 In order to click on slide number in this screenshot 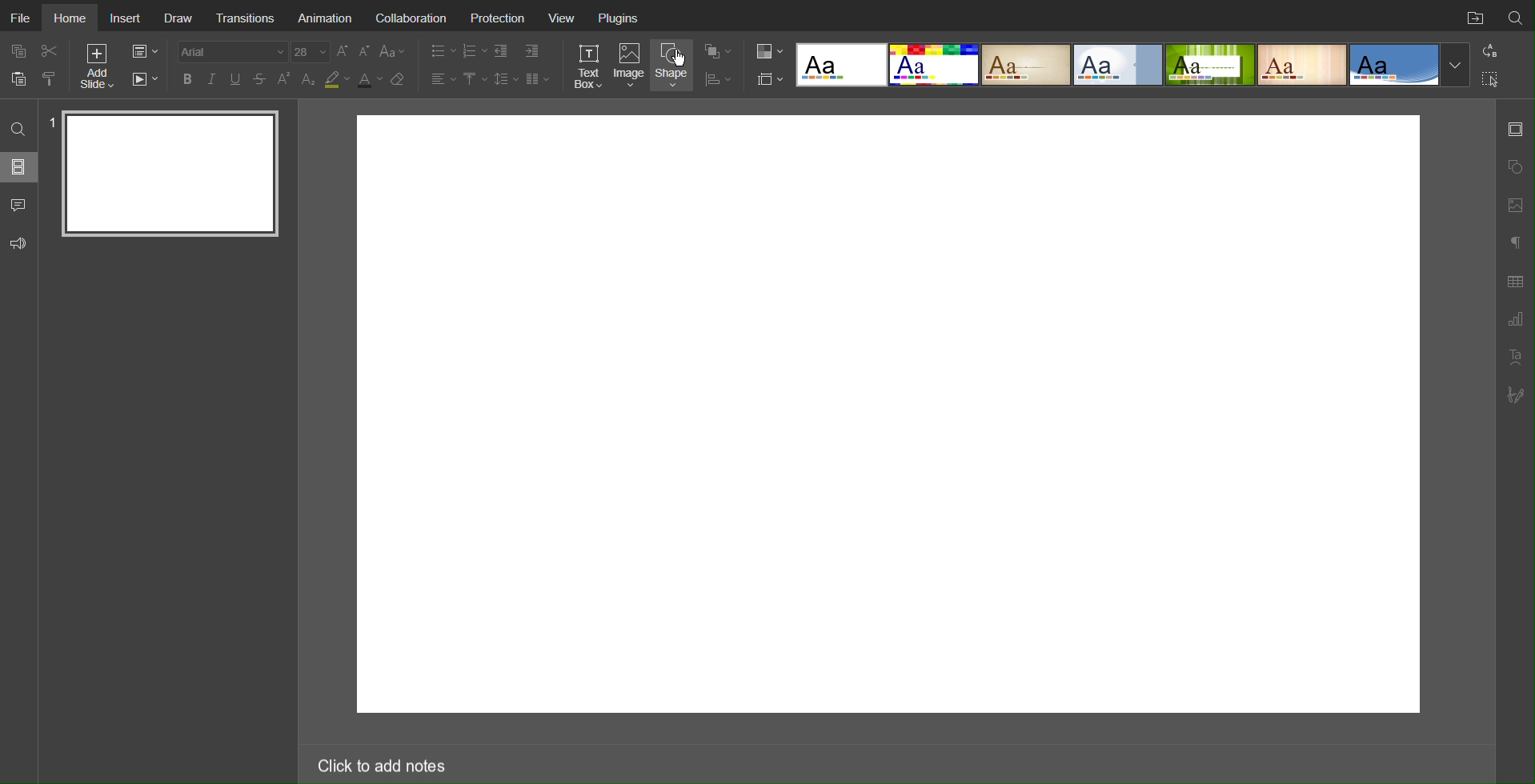, I will do `click(51, 121)`.